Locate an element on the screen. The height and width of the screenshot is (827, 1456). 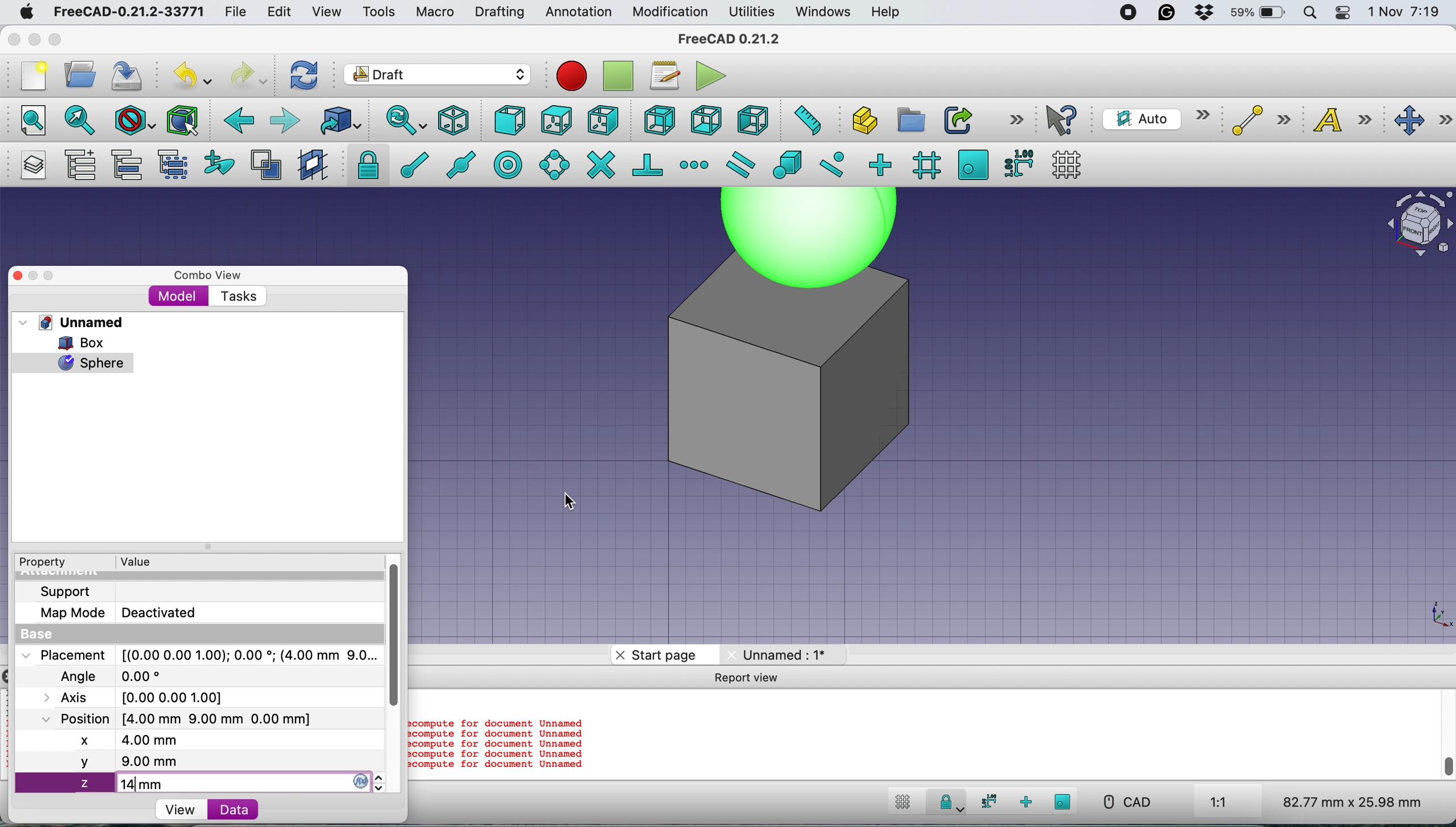
new z axis value is located at coordinates (119, 784).